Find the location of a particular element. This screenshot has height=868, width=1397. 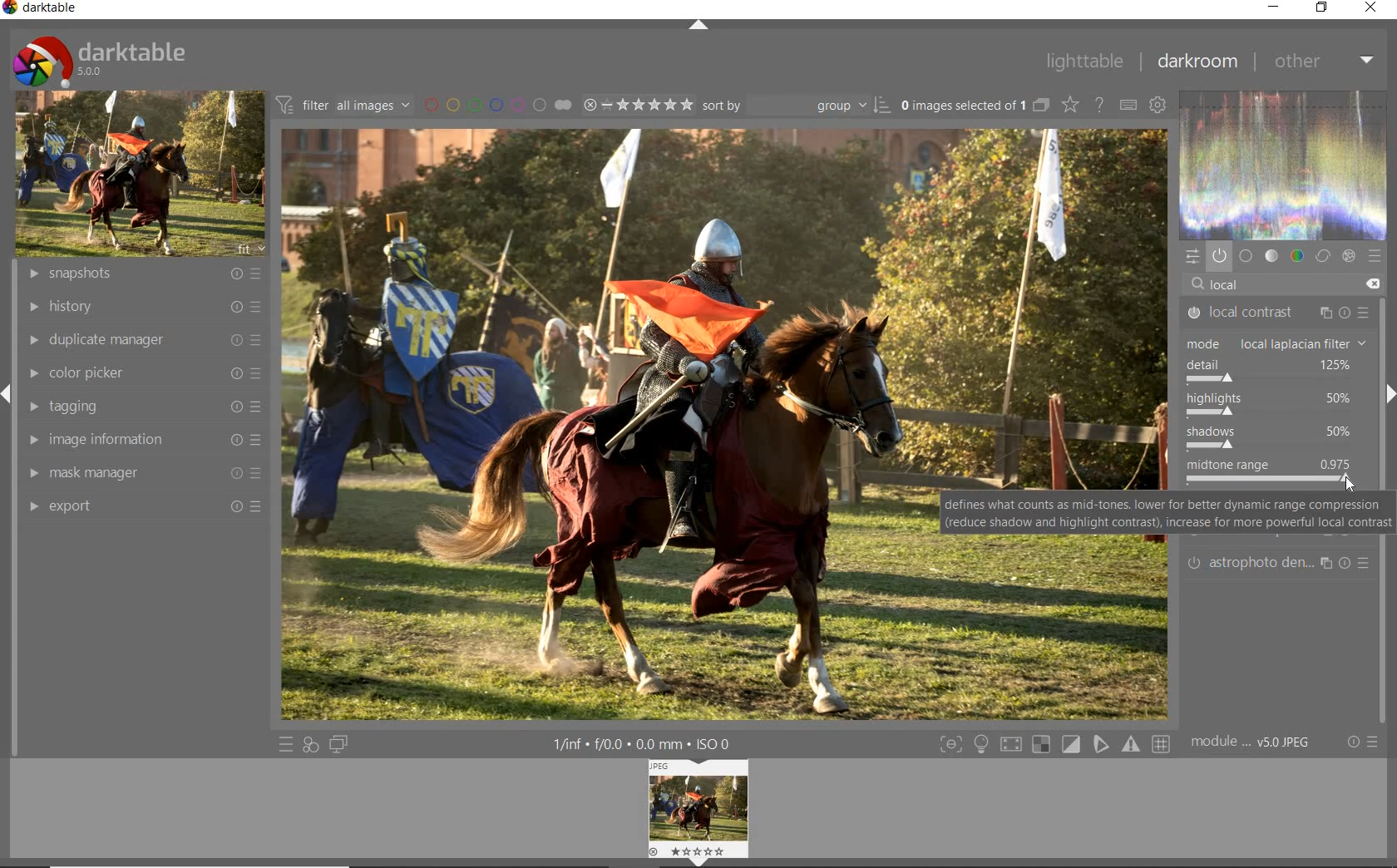

SHADOWS is located at coordinates (1281, 437).